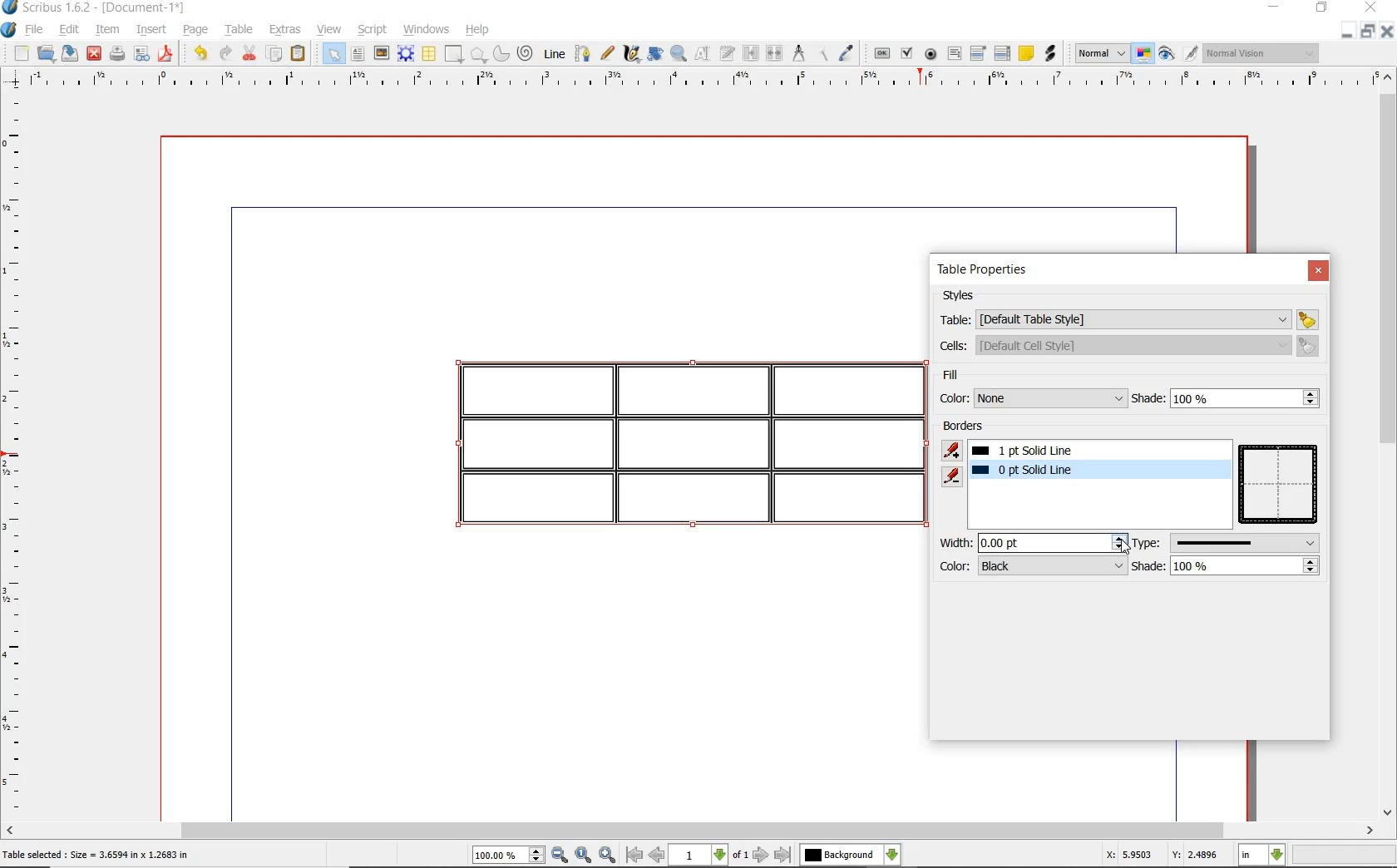 The height and width of the screenshot is (868, 1397). What do you see at coordinates (358, 54) in the screenshot?
I see `text frame` at bounding box center [358, 54].